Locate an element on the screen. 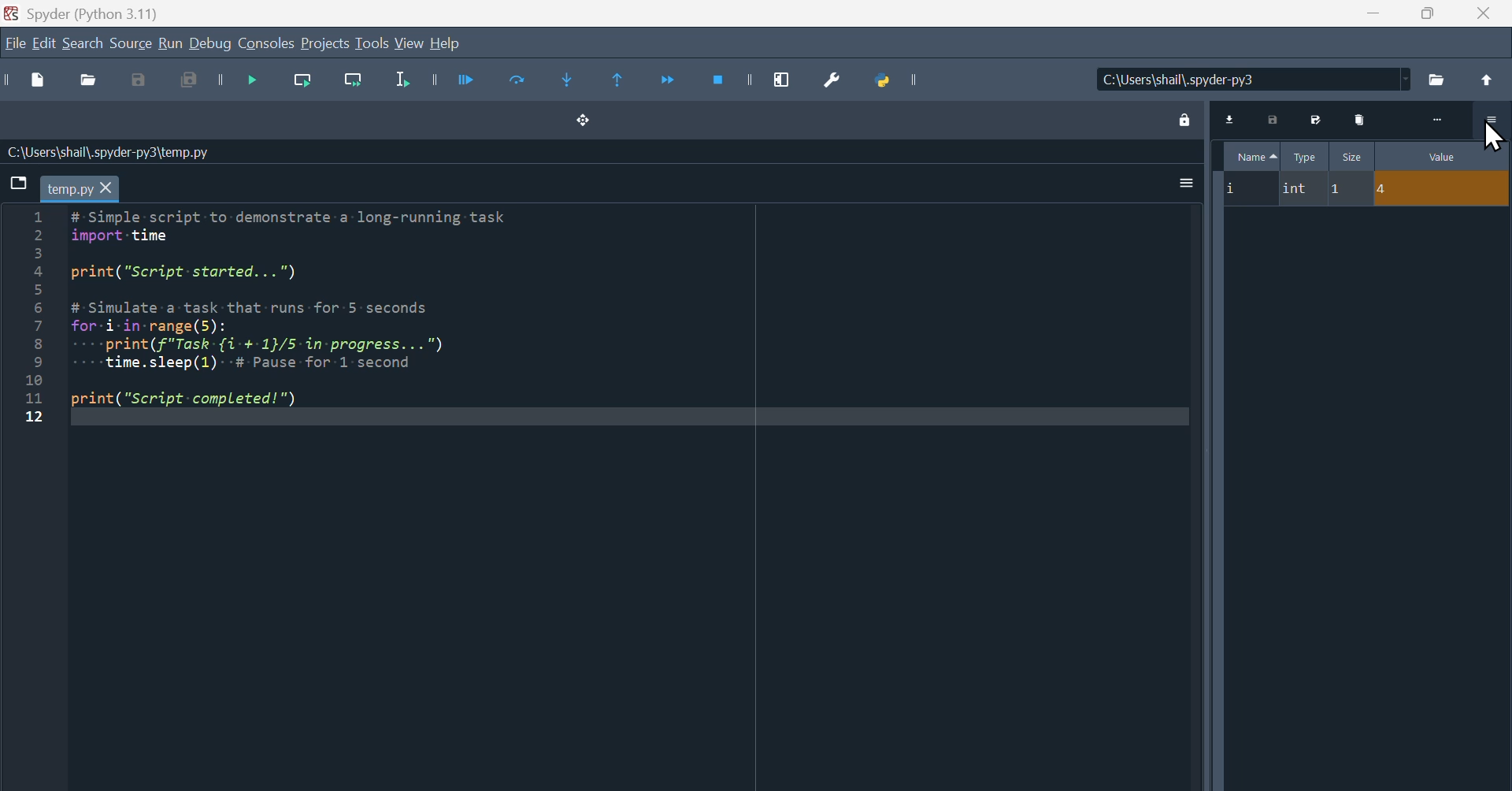 This screenshot has width=1512, height=791. run is located at coordinates (169, 42).